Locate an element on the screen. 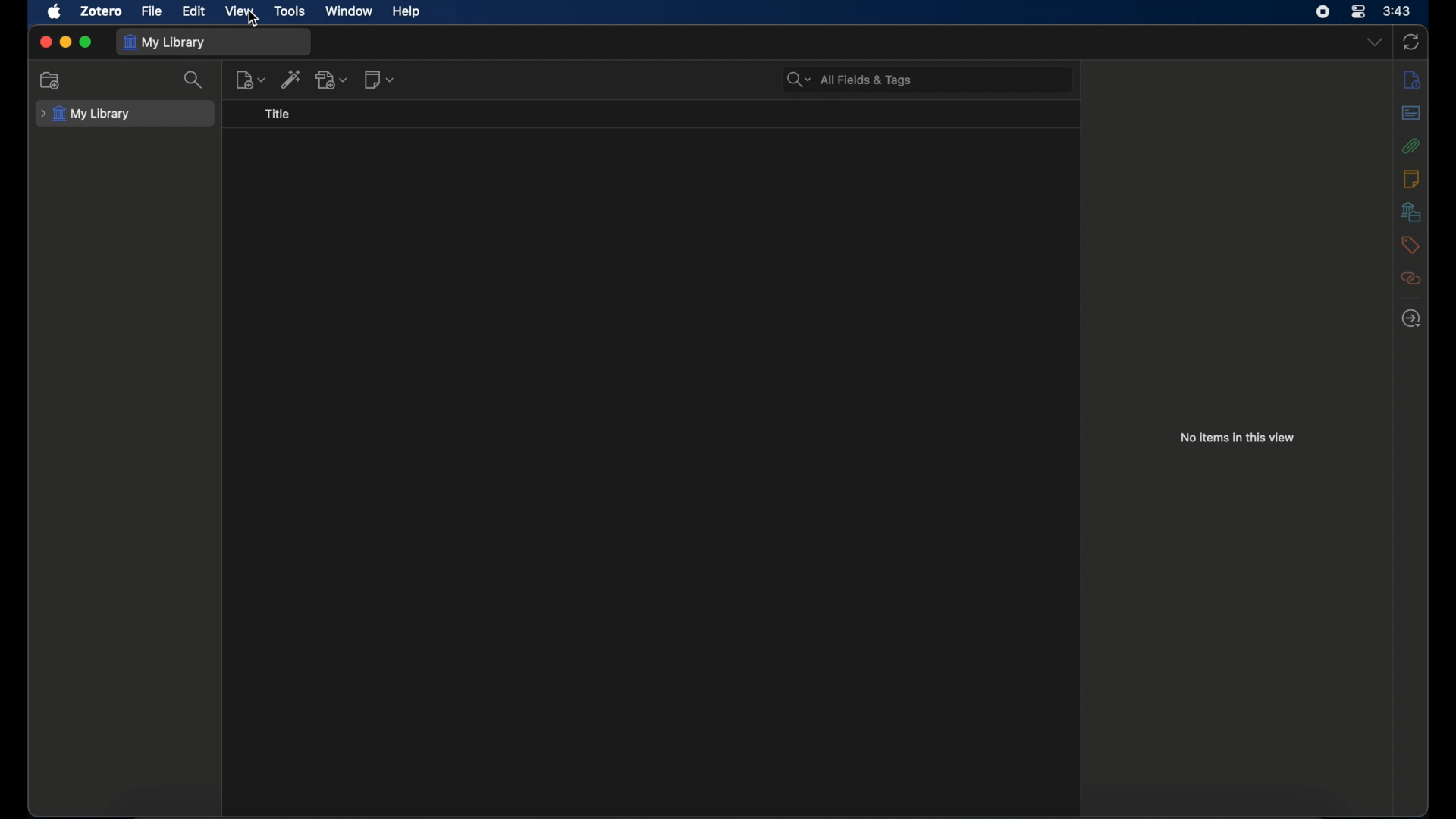  locate is located at coordinates (1410, 318).